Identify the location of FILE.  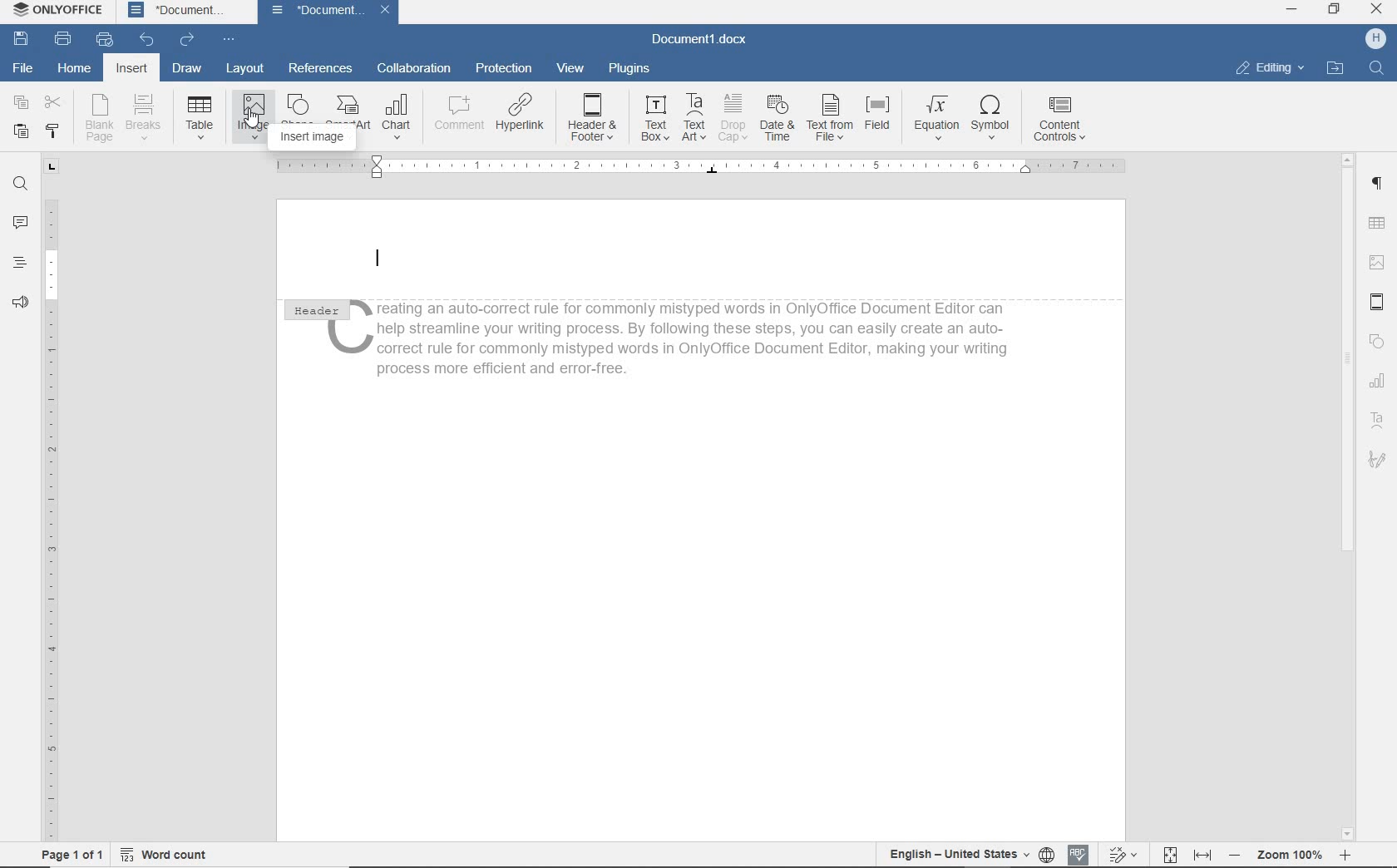
(21, 67).